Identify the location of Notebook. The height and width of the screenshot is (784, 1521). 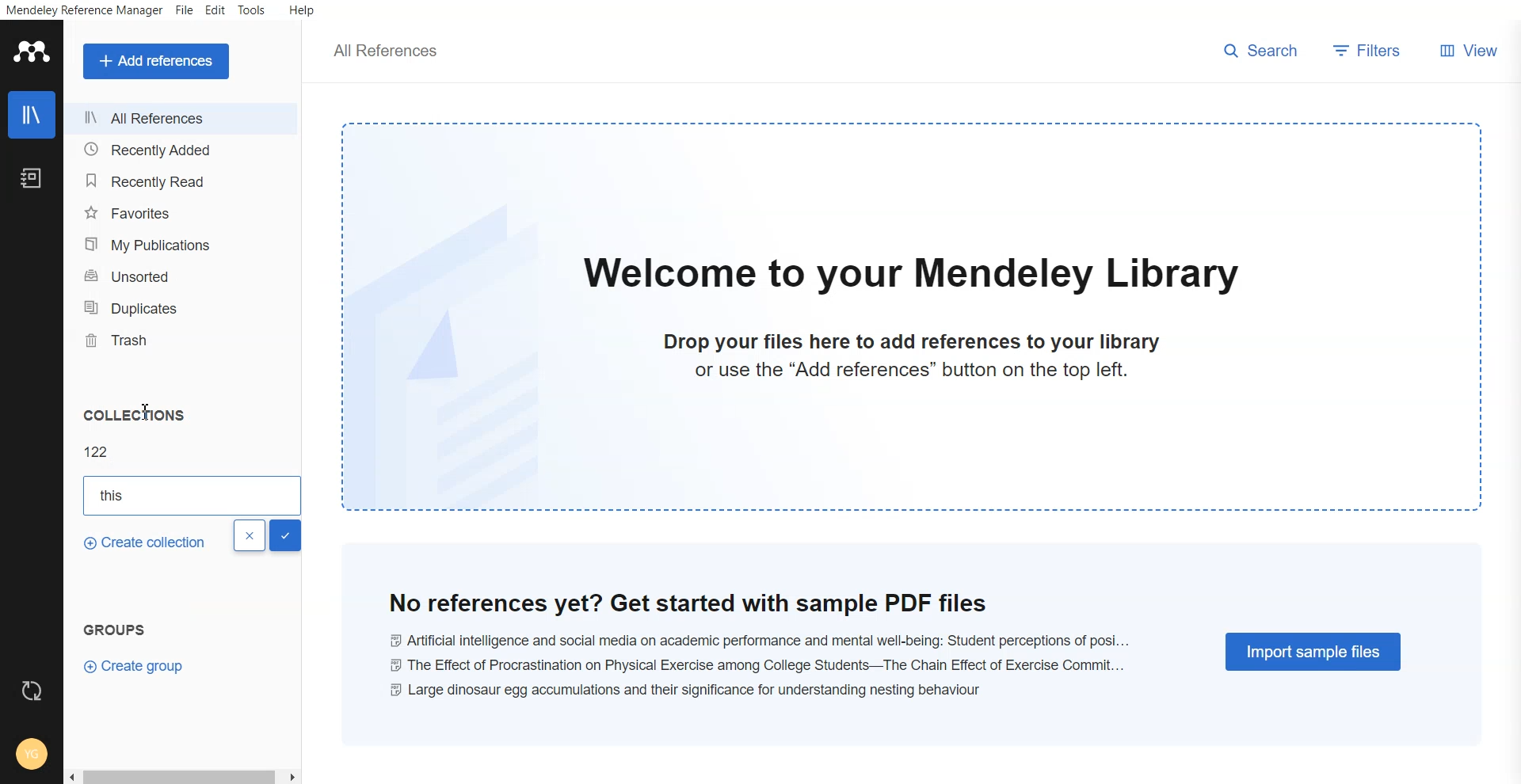
(30, 177).